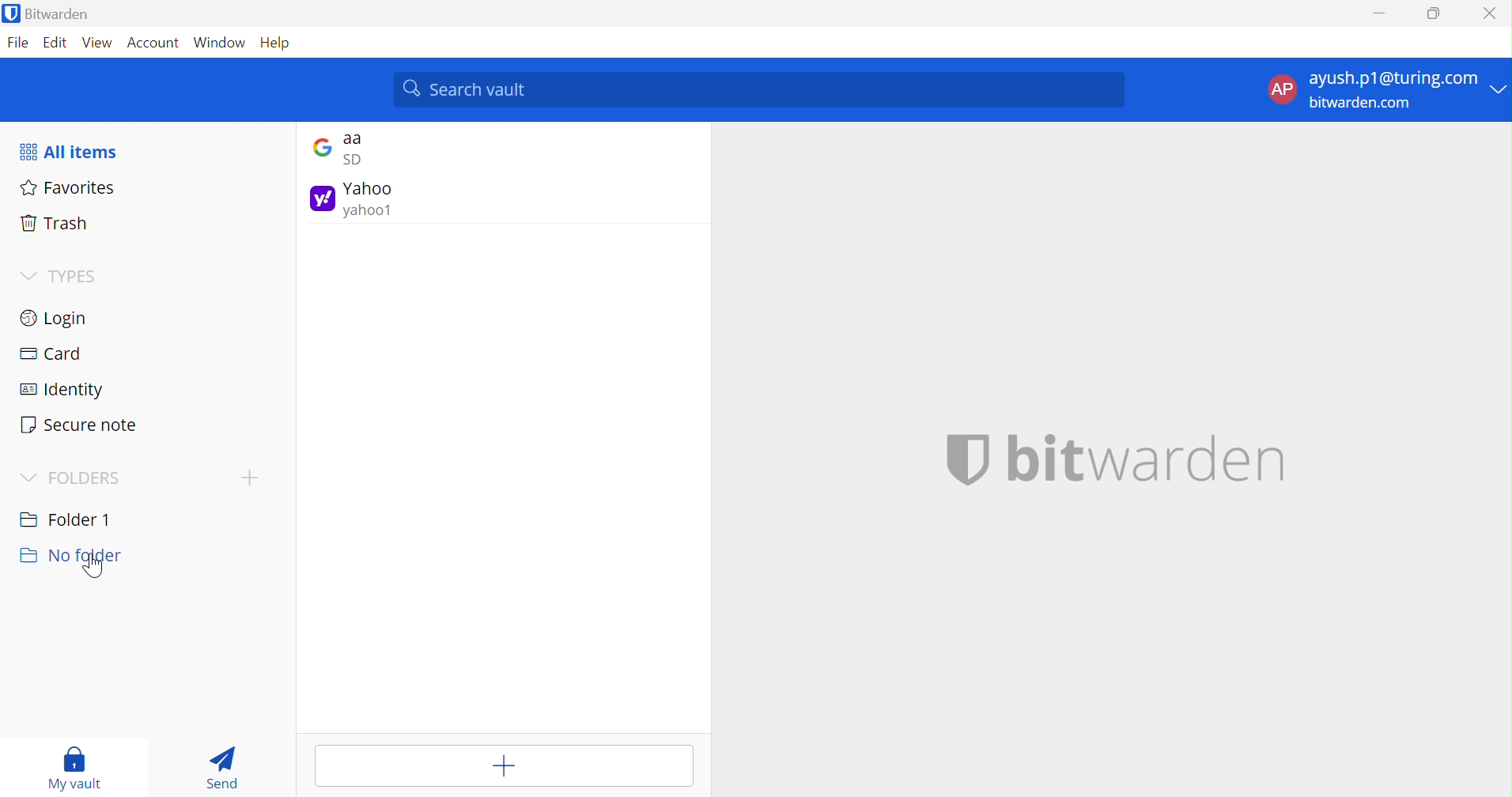 This screenshot has width=1512, height=797. I want to click on My vault, so click(78, 768).